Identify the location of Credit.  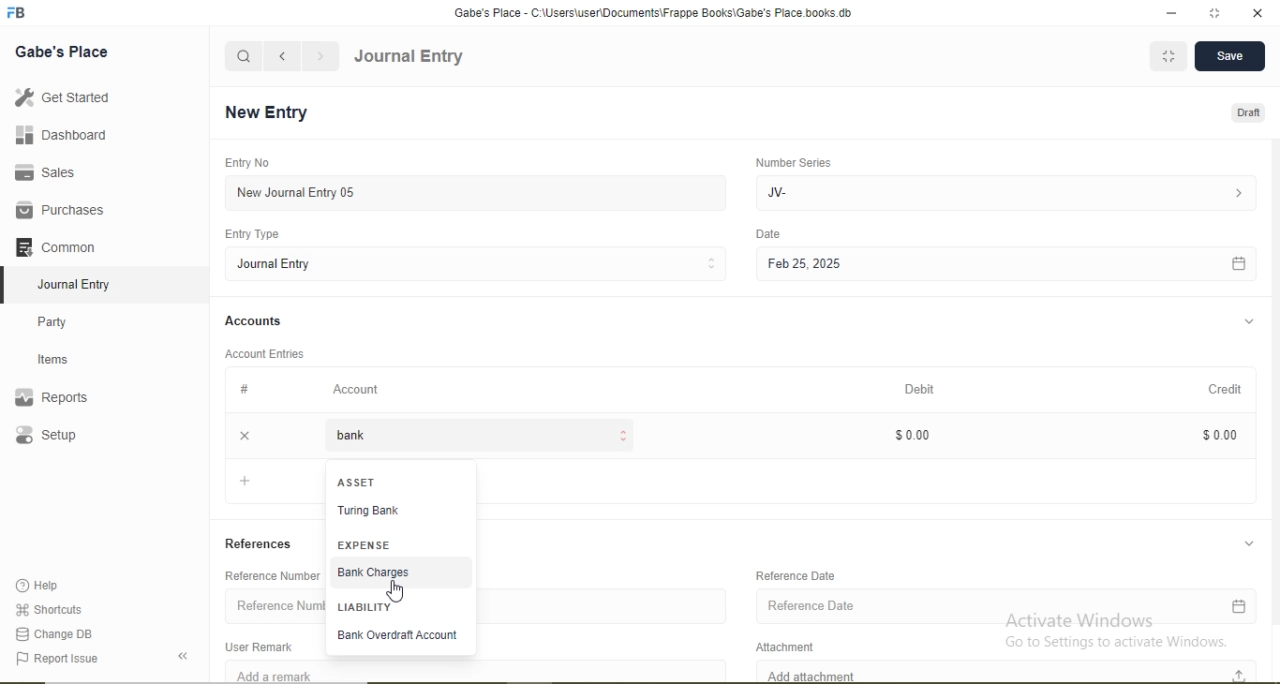
(1224, 390).